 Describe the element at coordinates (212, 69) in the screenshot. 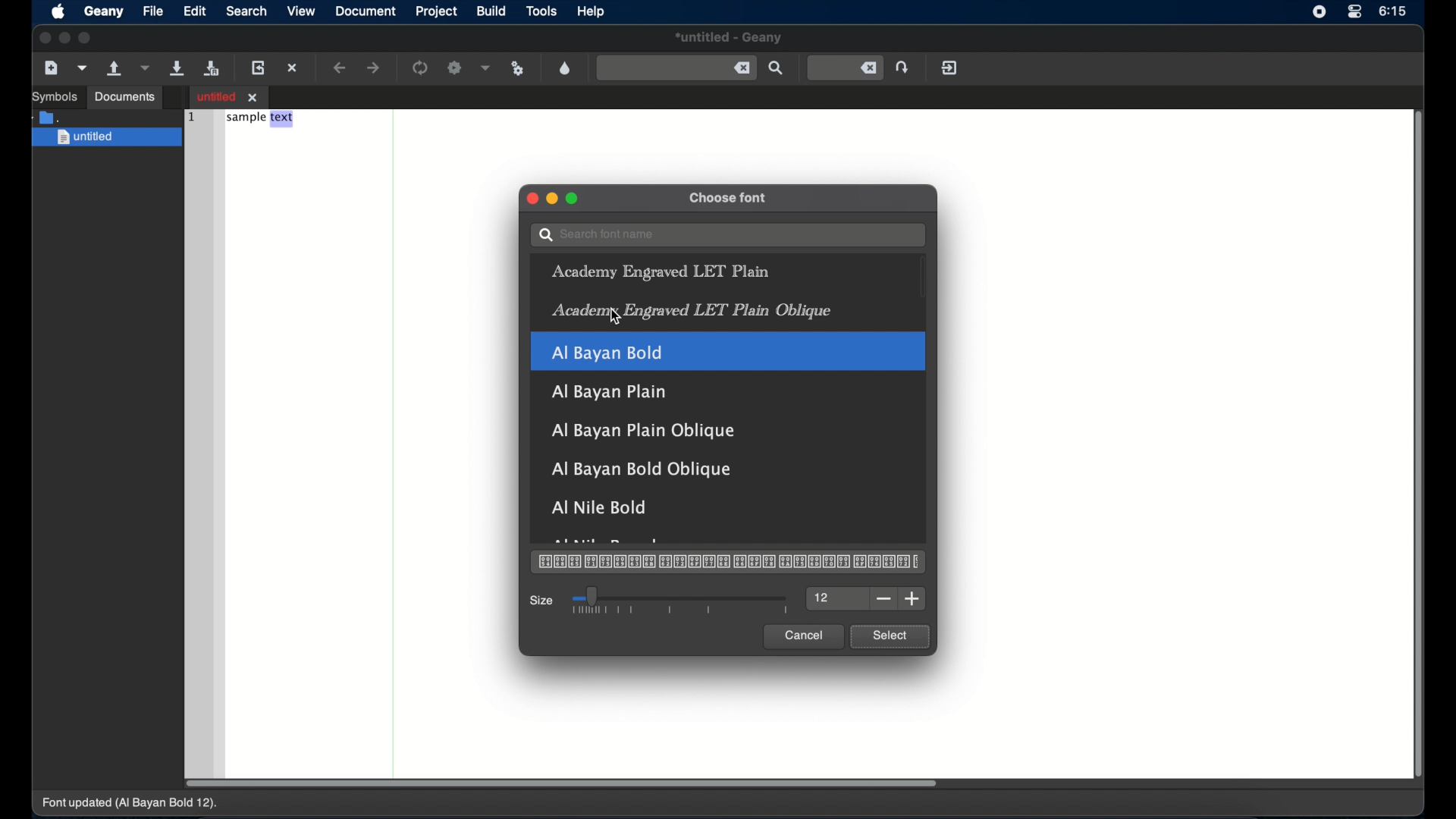

I see `save all current files` at that location.